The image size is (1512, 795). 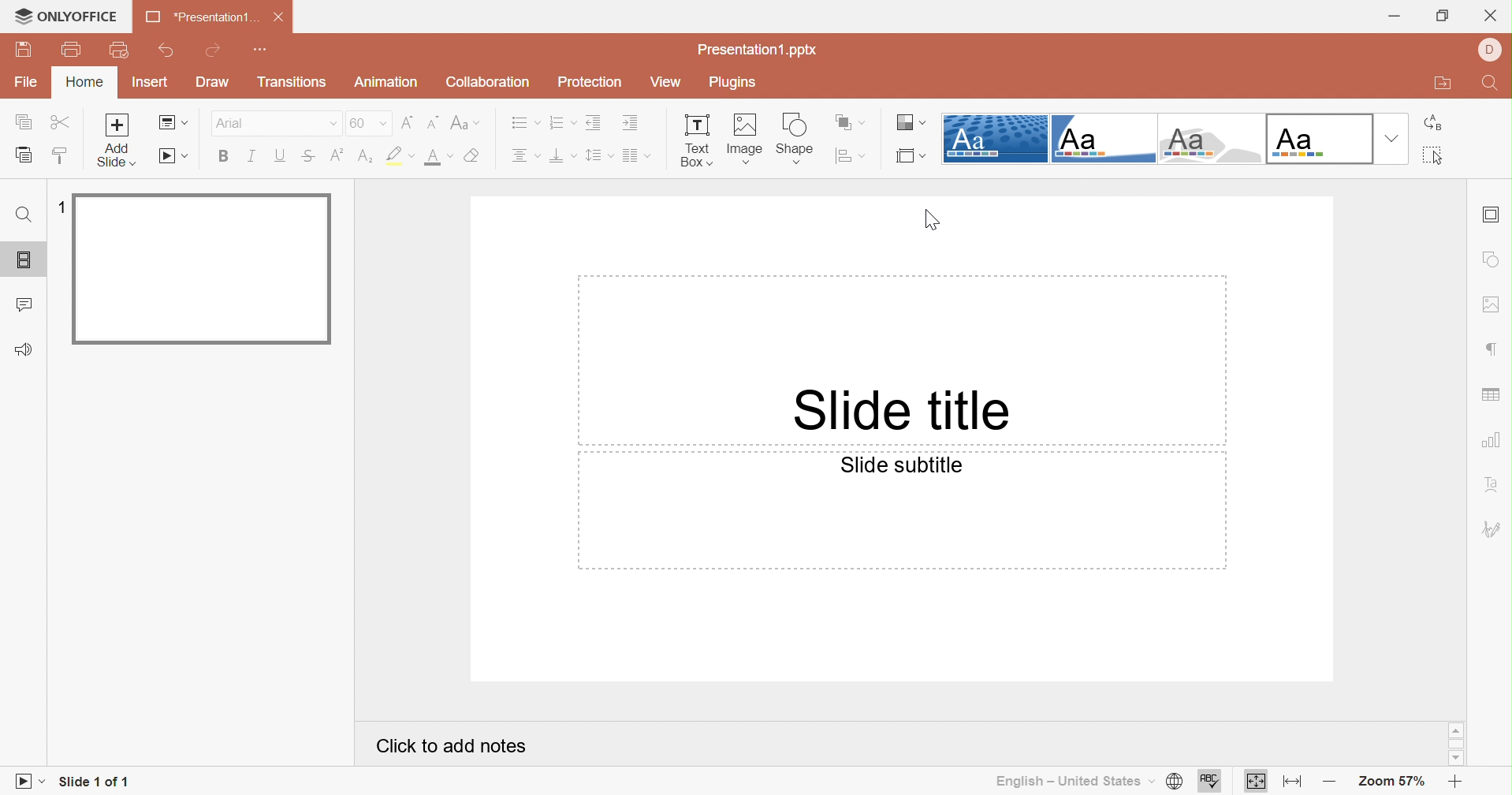 I want to click on Fit to width, so click(x=1292, y=785).